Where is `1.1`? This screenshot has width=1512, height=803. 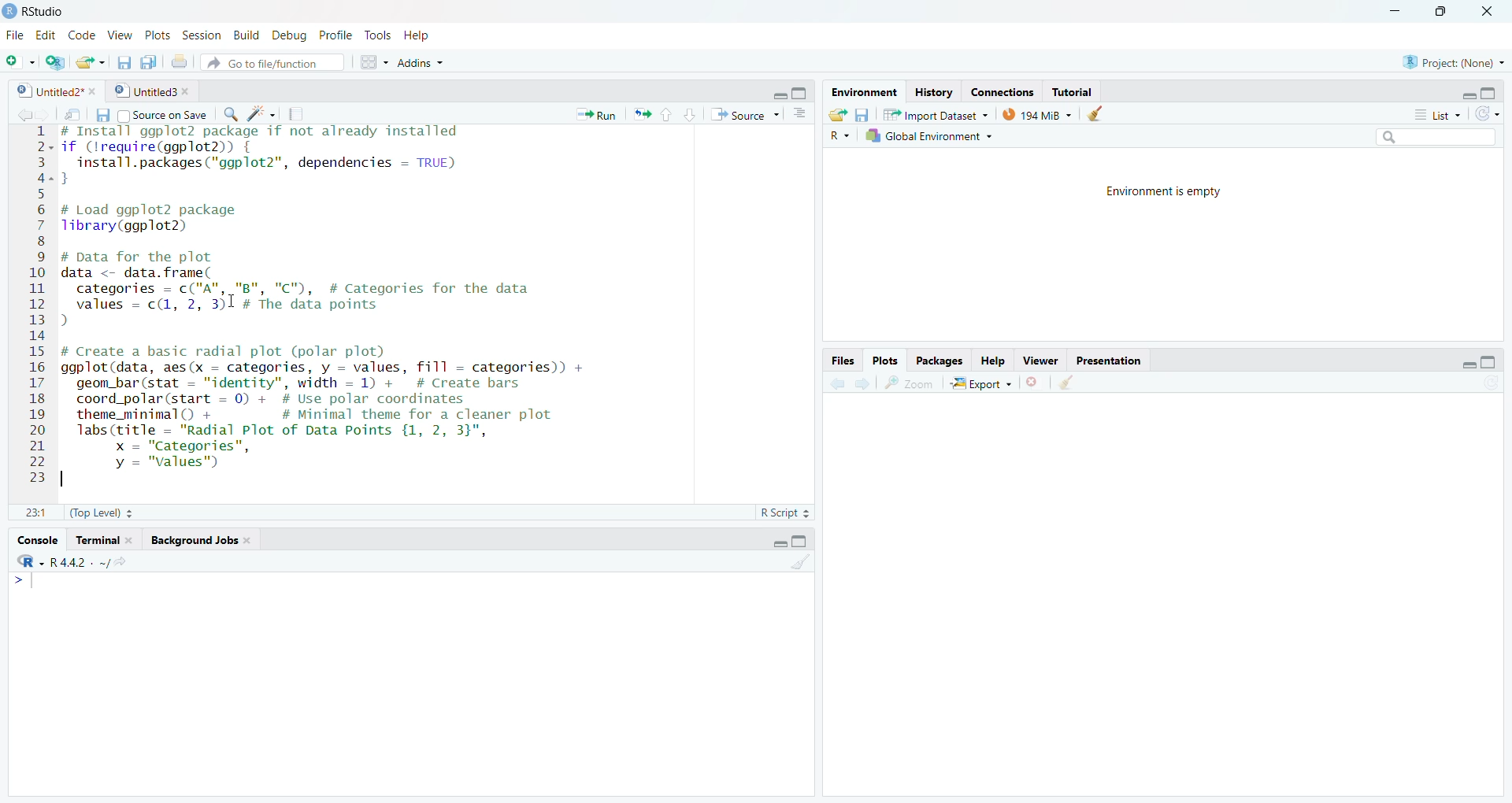
1.1 is located at coordinates (33, 513).